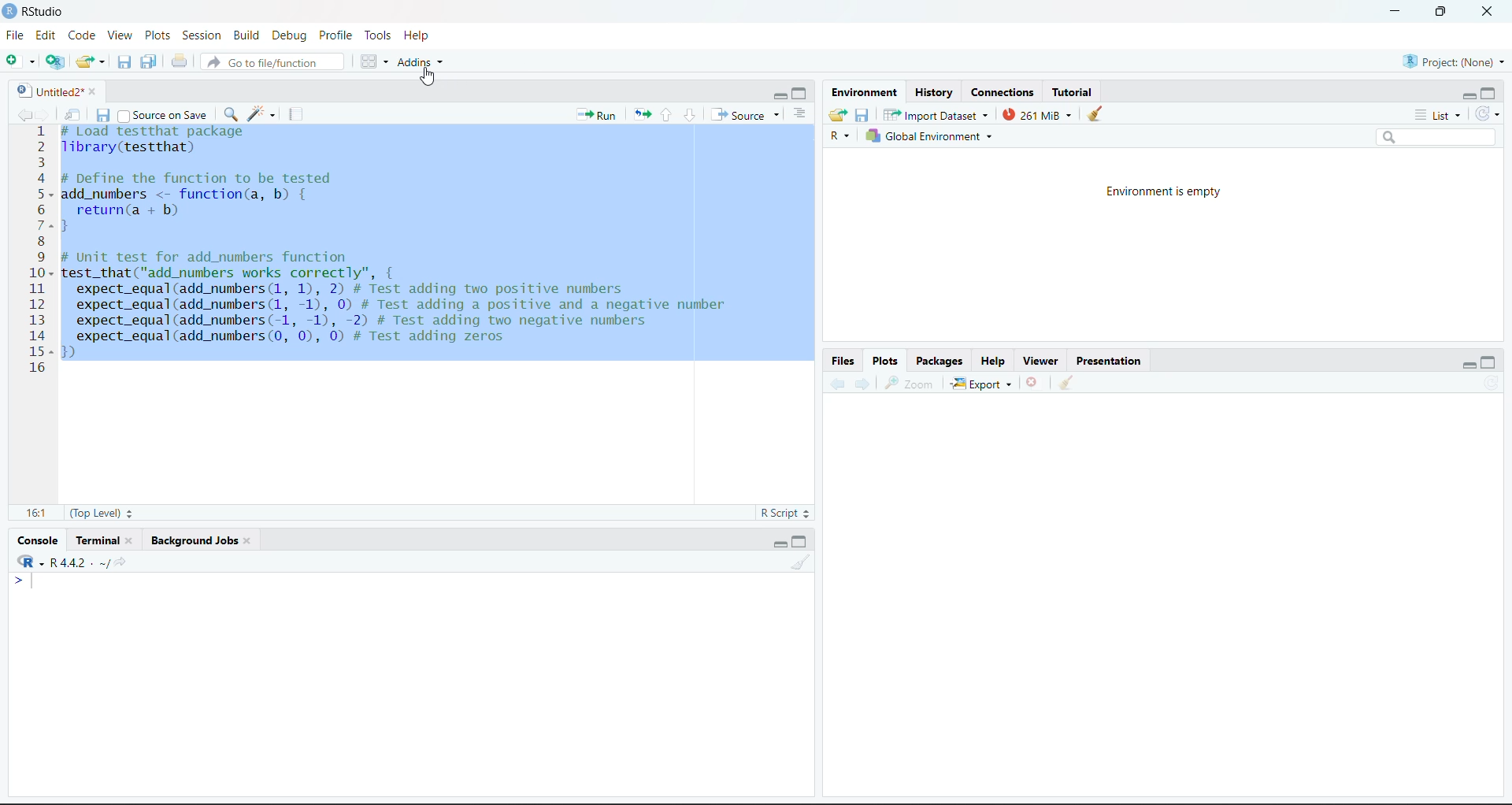  Describe the element at coordinates (39, 252) in the screenshot. I see `Numbering line` at that location.